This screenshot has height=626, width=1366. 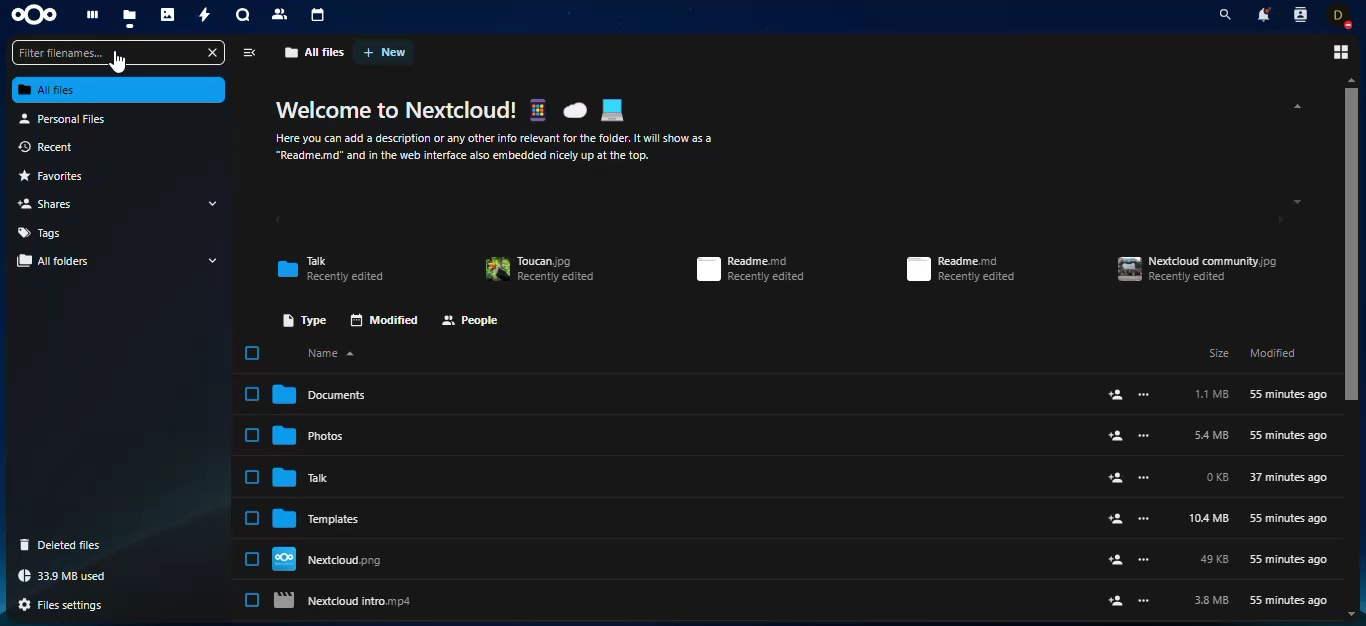 I want to click on 1.1 MB 55 minutes ago, so click(x=1260, y=394).